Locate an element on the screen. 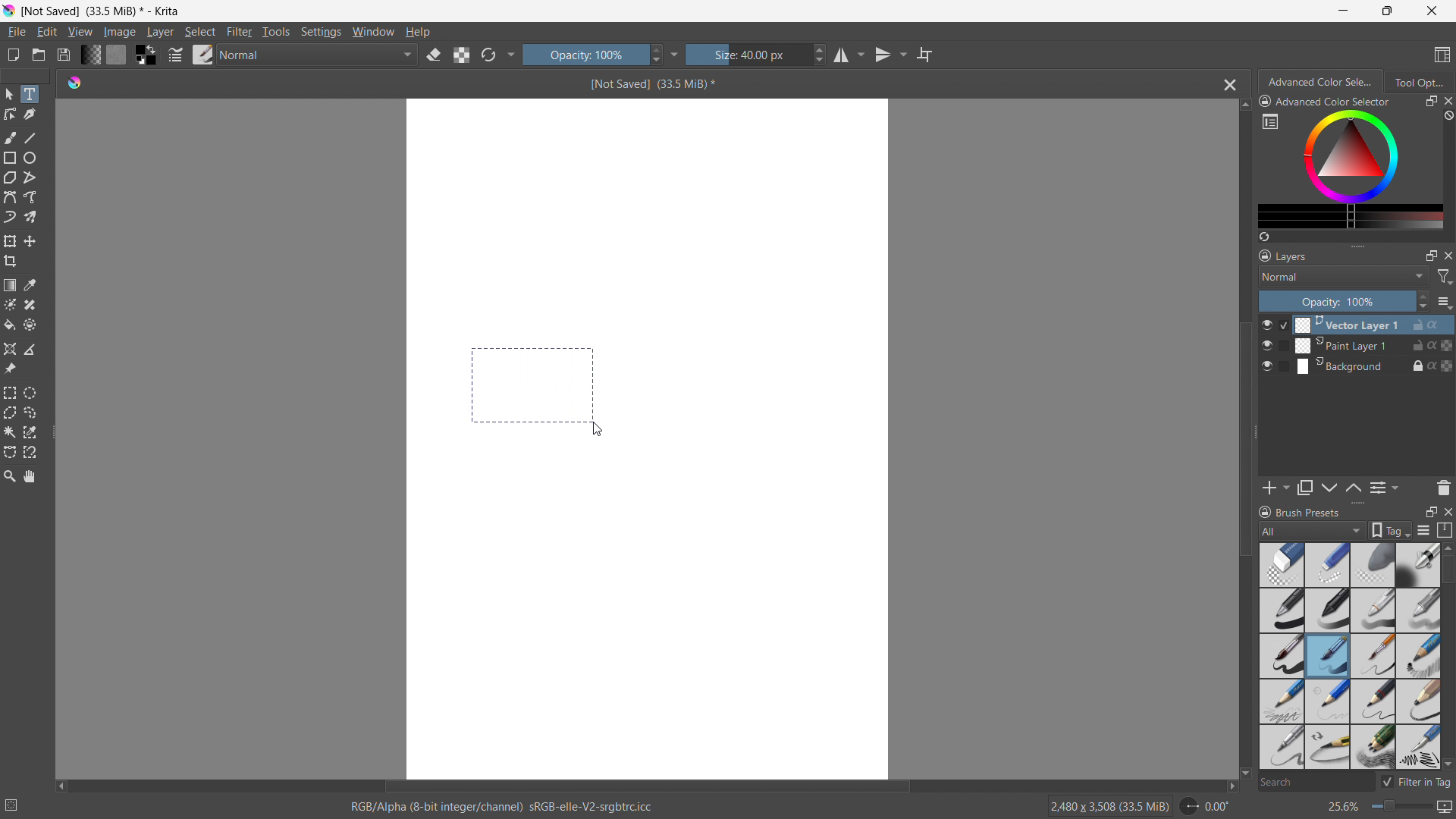 The width and height of the screenshot is (1456, 819). maximize is located at coordinates (1431, 255).